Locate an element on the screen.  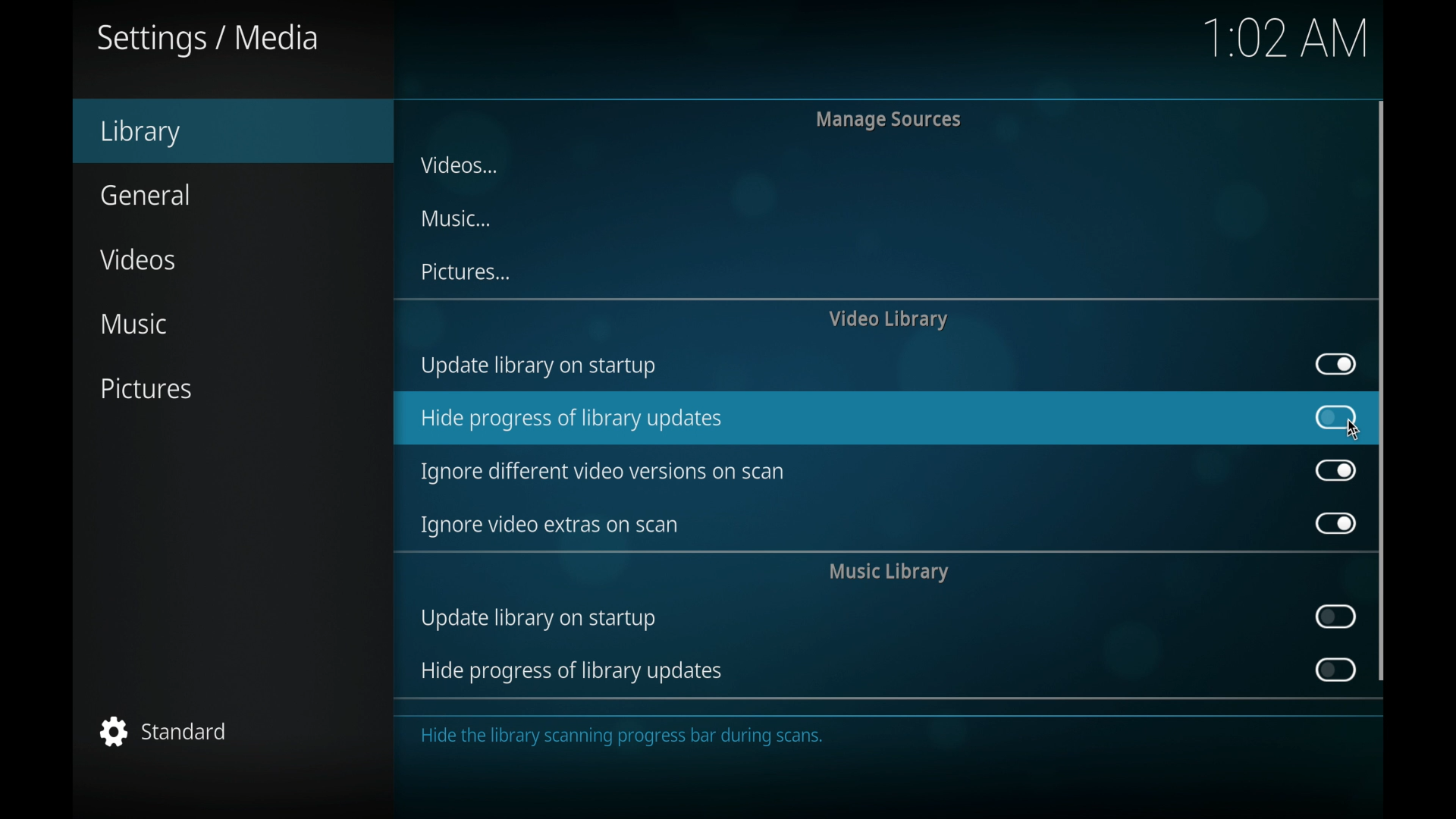
toggle button is located at coordinates (1335, 617).